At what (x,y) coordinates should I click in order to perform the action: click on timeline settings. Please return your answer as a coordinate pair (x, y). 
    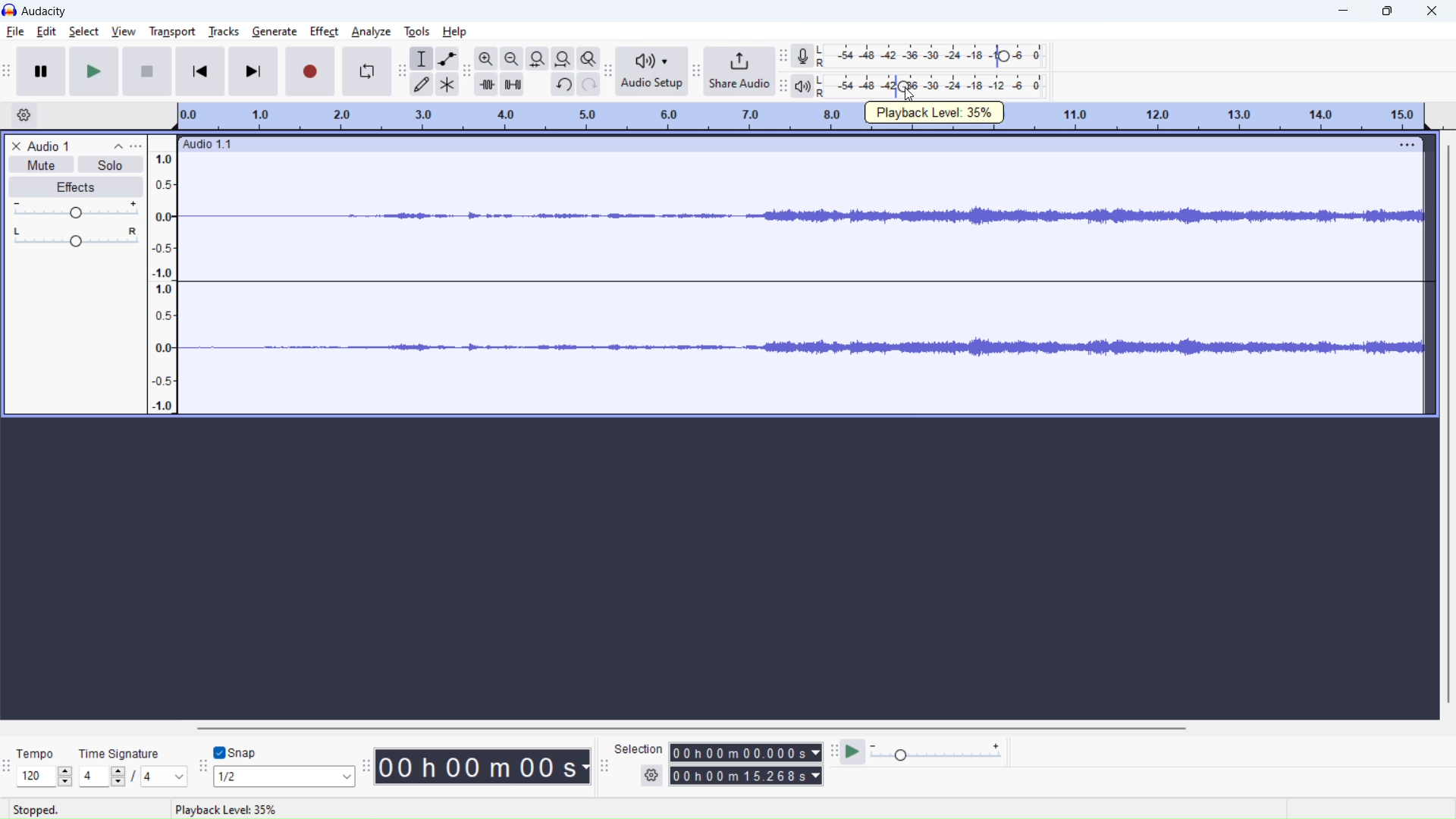
    Looking at the image, I should click on (22, 114).